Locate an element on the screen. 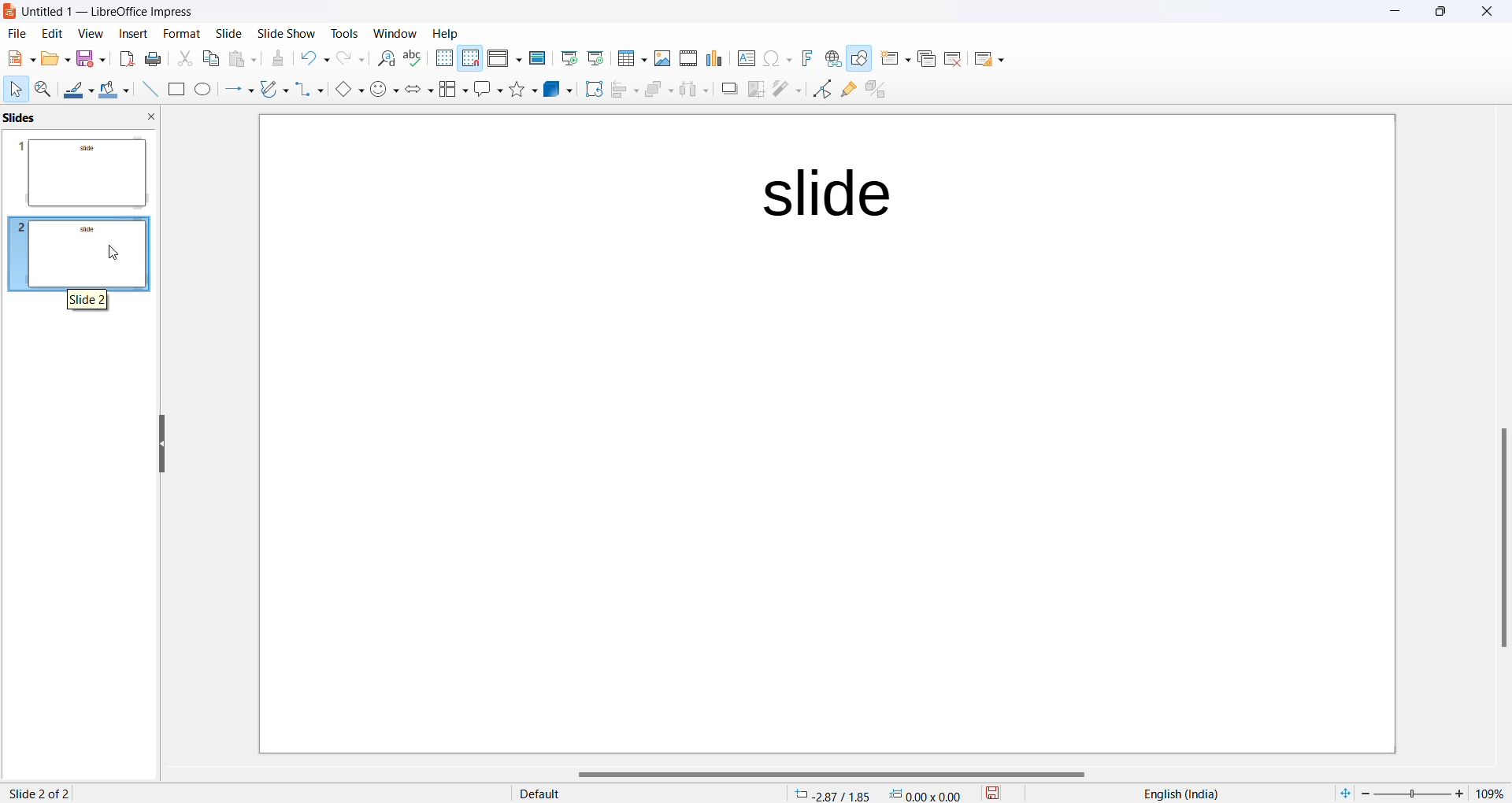  edit is located at coordinates (50, 35).